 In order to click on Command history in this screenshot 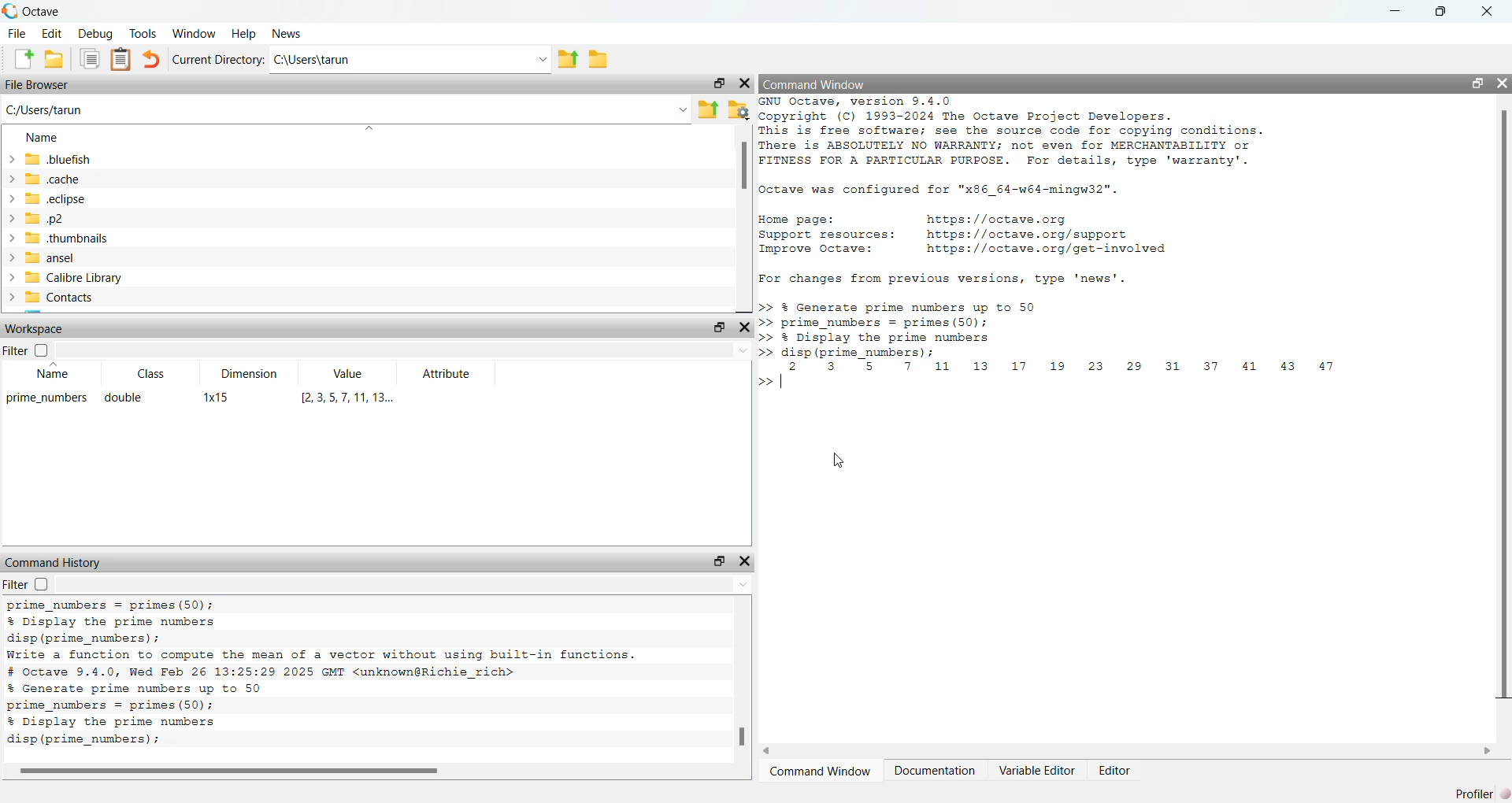, I will do `click(55, 562)`.